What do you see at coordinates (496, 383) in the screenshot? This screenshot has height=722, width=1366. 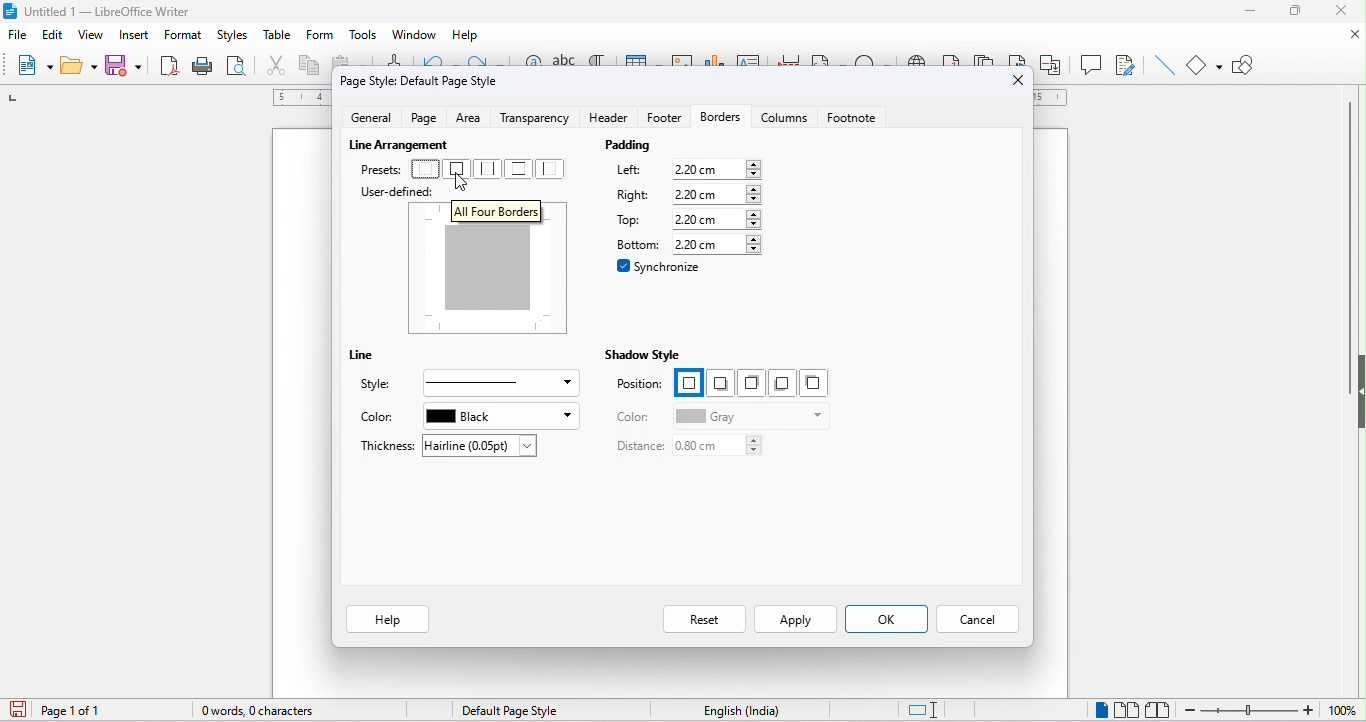 I see `select style` at bounding box center [496, 383].